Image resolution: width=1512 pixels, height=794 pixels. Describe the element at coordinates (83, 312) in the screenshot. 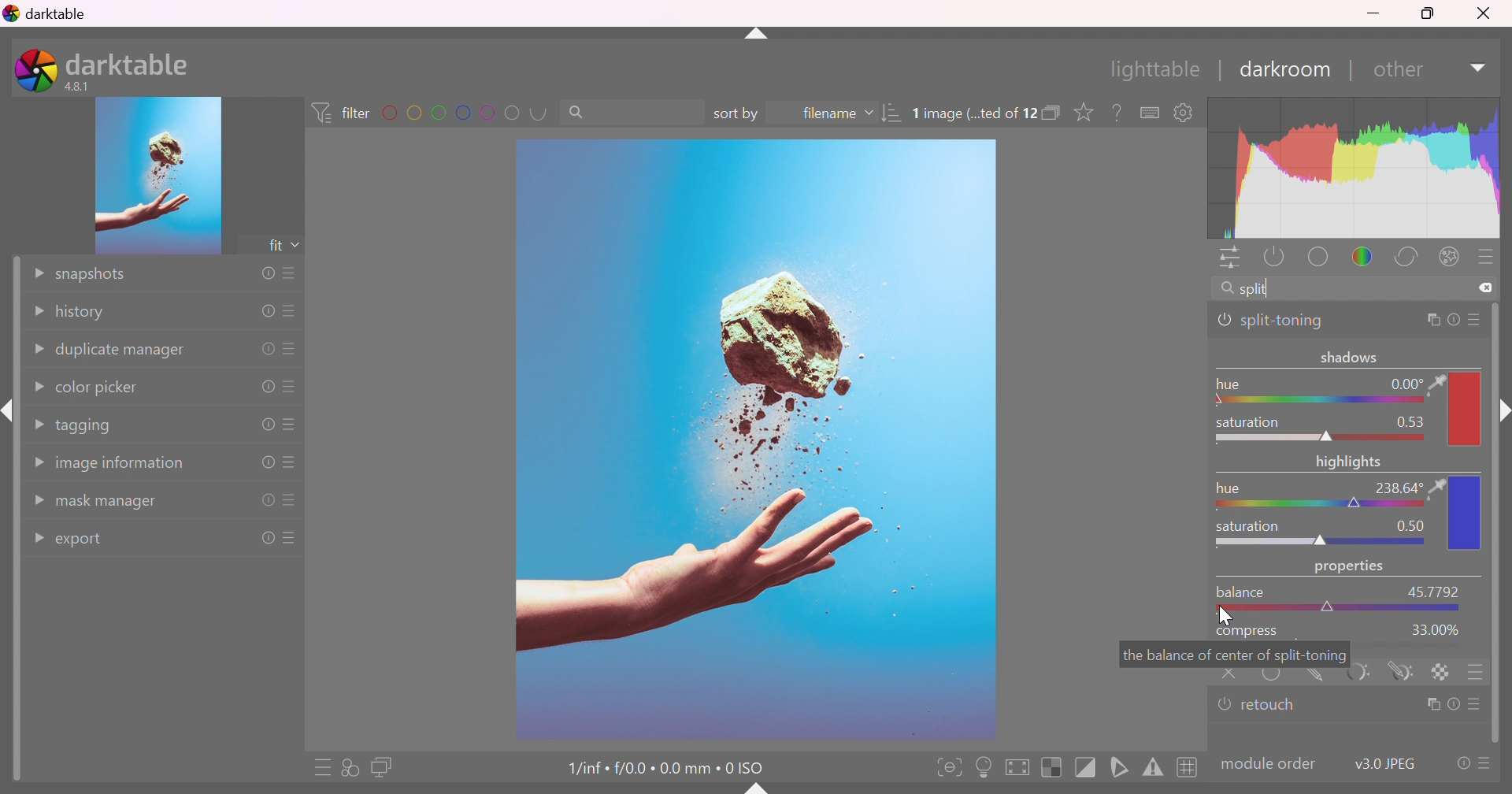

I see `history` at that location.